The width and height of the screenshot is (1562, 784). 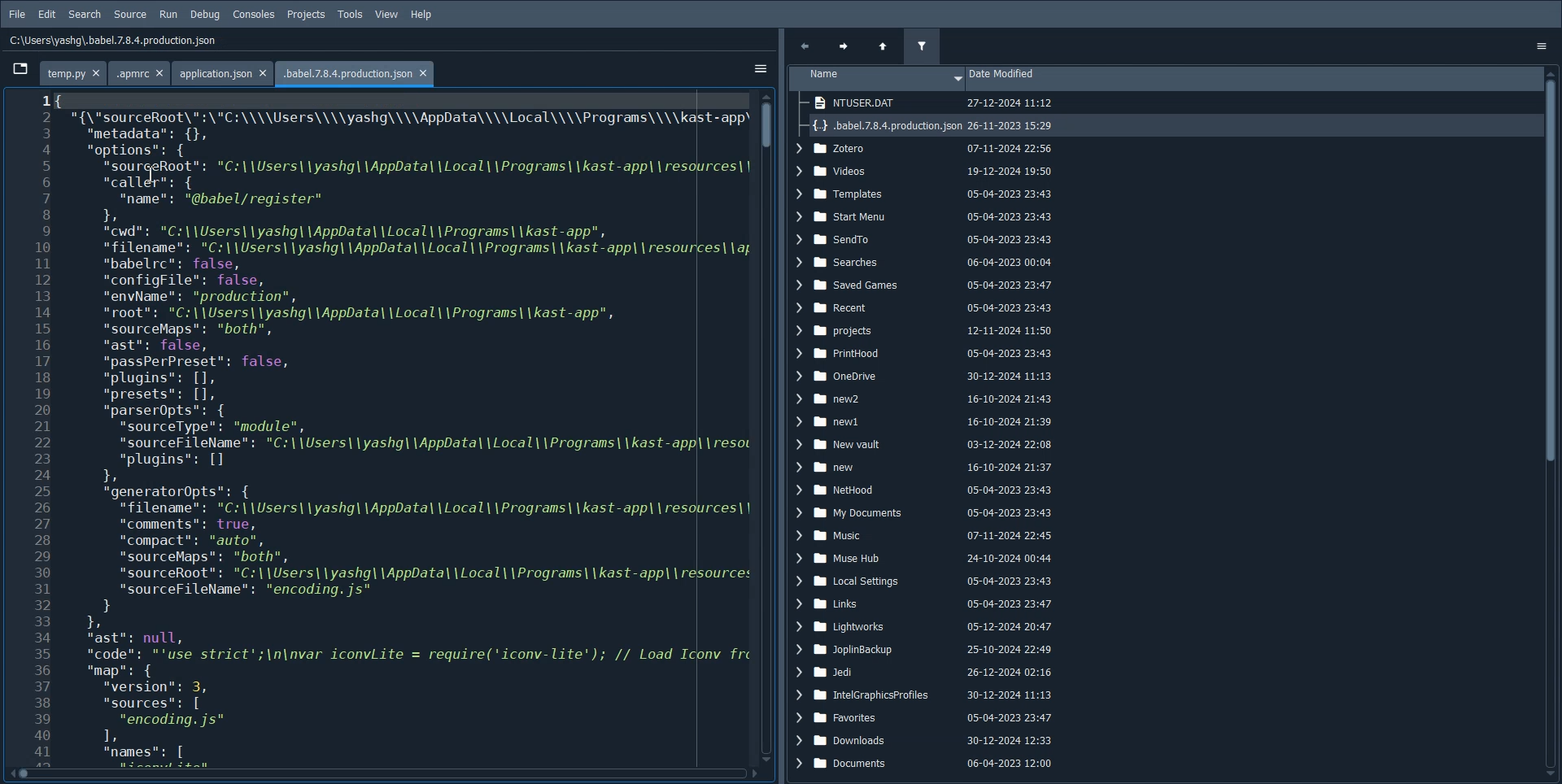 I want to click on Edit, so click(x=47, y=15).